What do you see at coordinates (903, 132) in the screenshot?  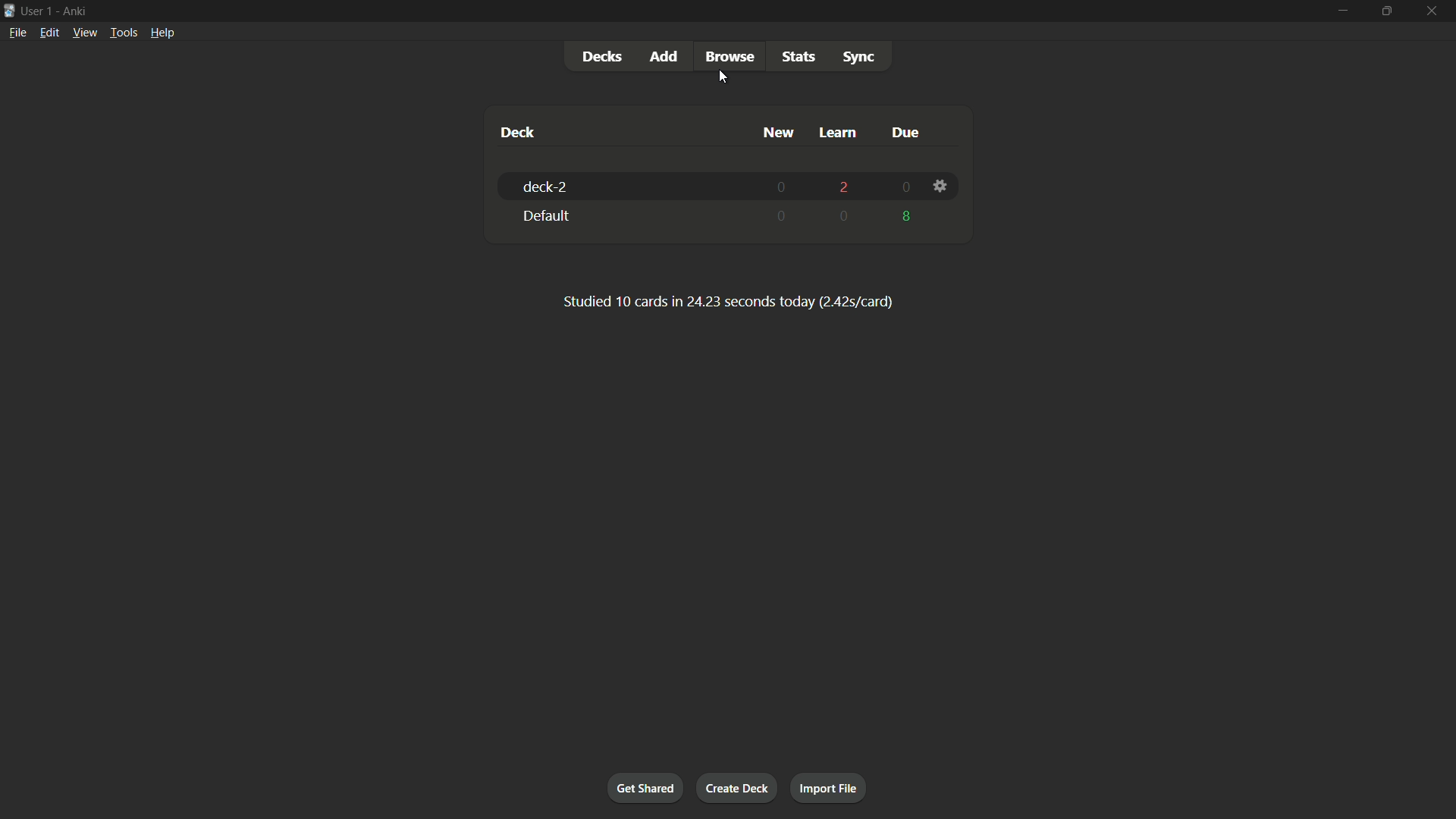 I see `Due` at bounding box center [903, 132].